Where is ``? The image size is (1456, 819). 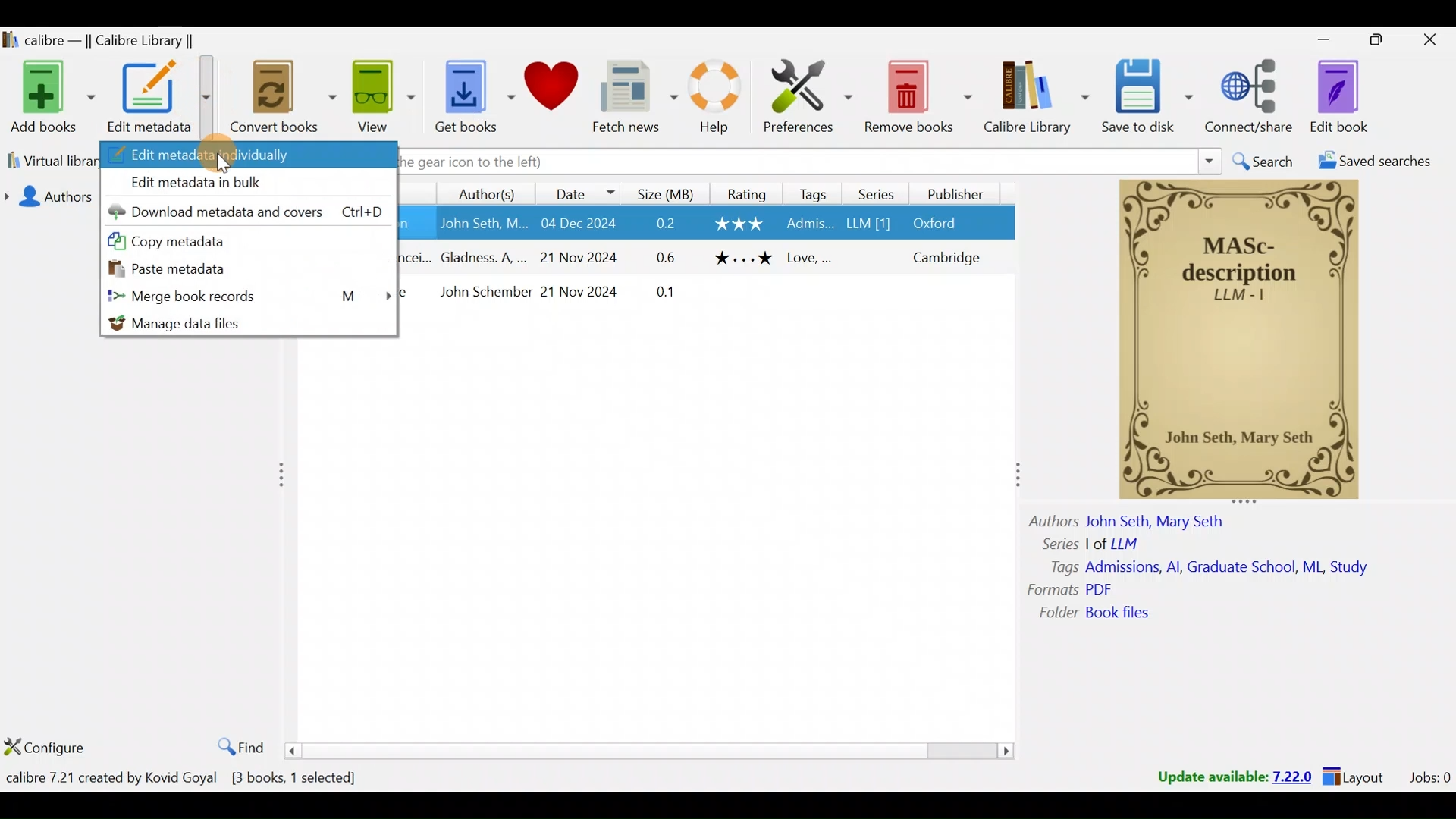
 is located at coordinates (1240, 342).